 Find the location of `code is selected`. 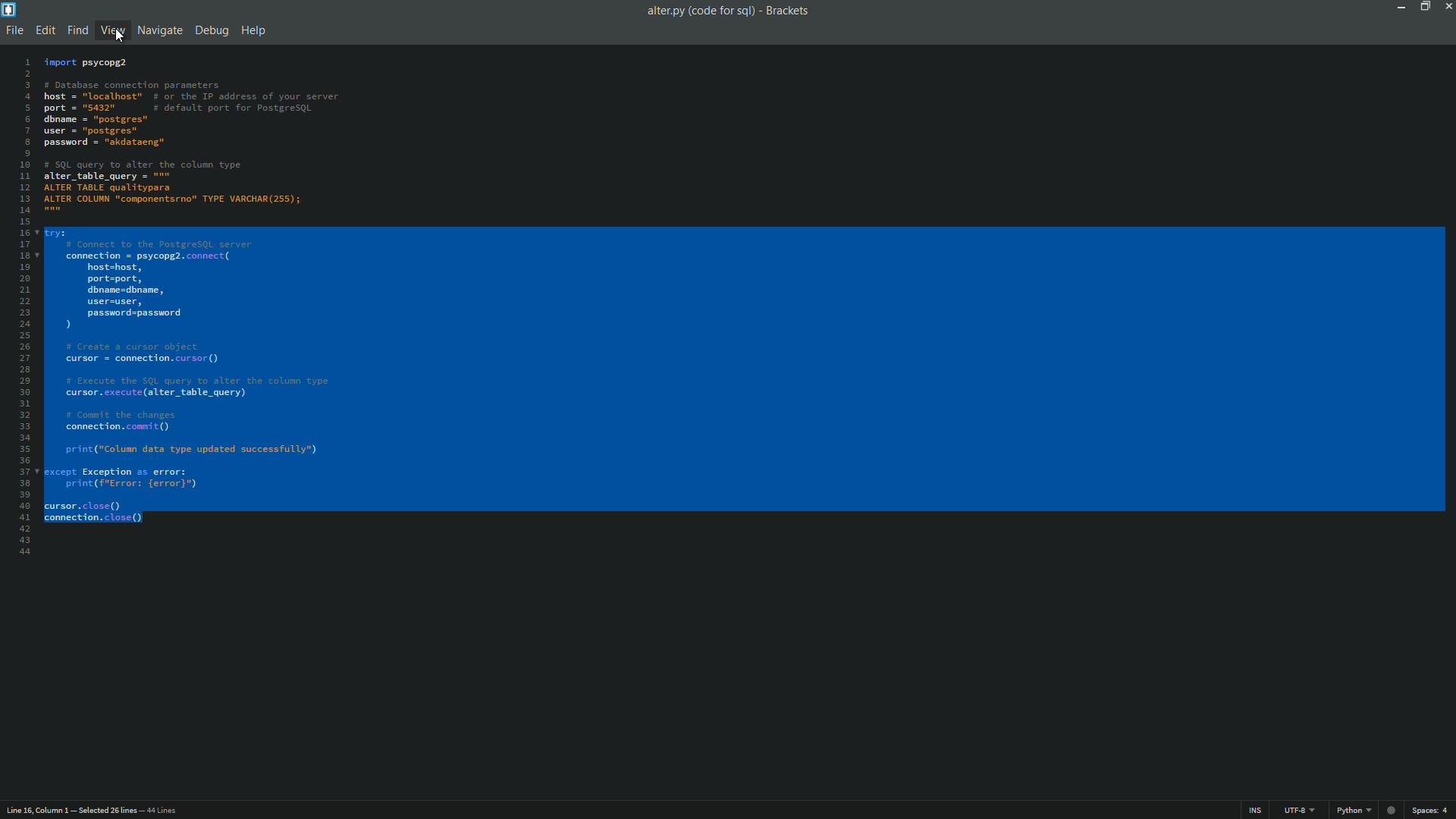

code is selected is located at coordinates (745, 294).